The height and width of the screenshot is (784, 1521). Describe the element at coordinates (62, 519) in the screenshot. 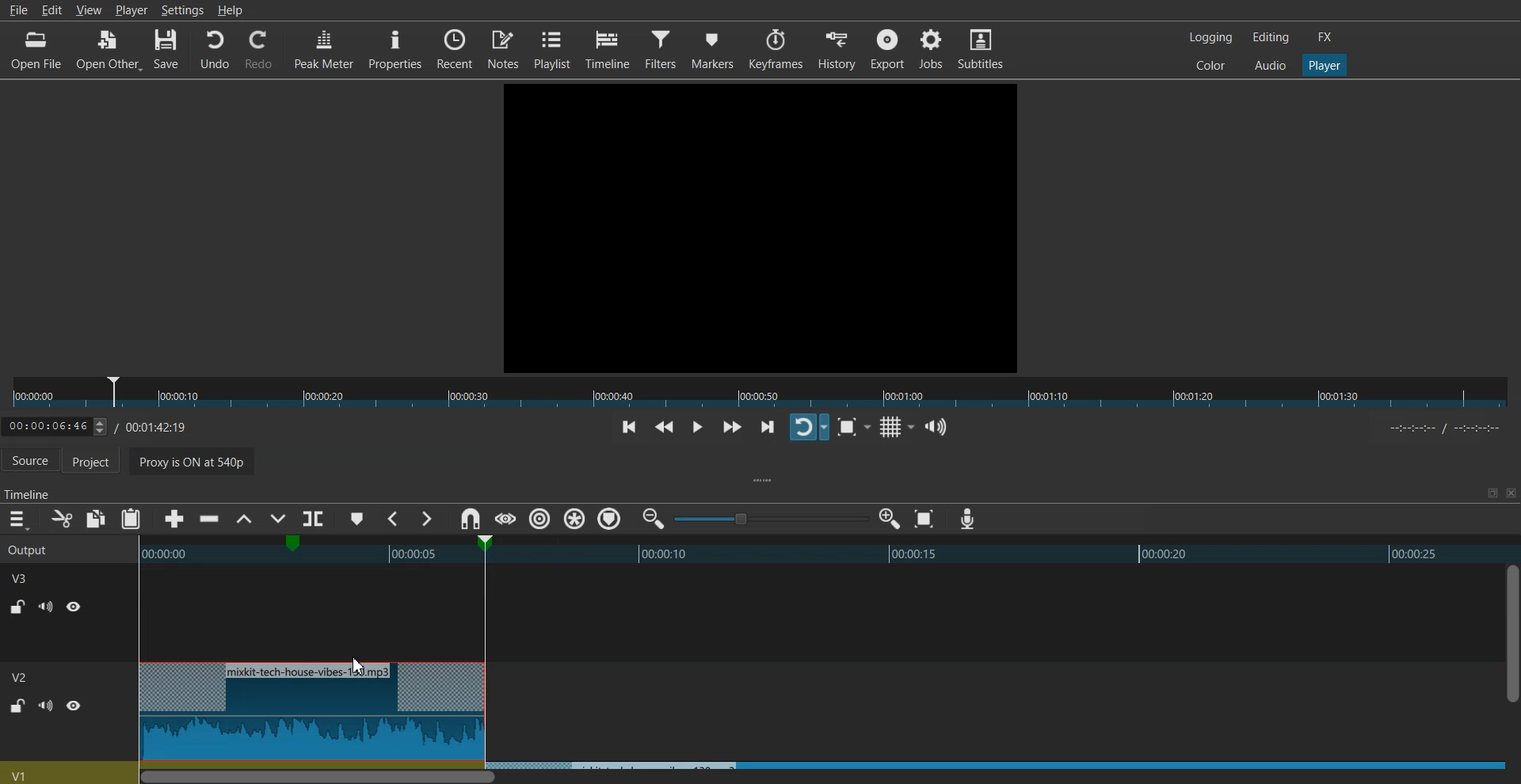

I see `Cut` at that location.